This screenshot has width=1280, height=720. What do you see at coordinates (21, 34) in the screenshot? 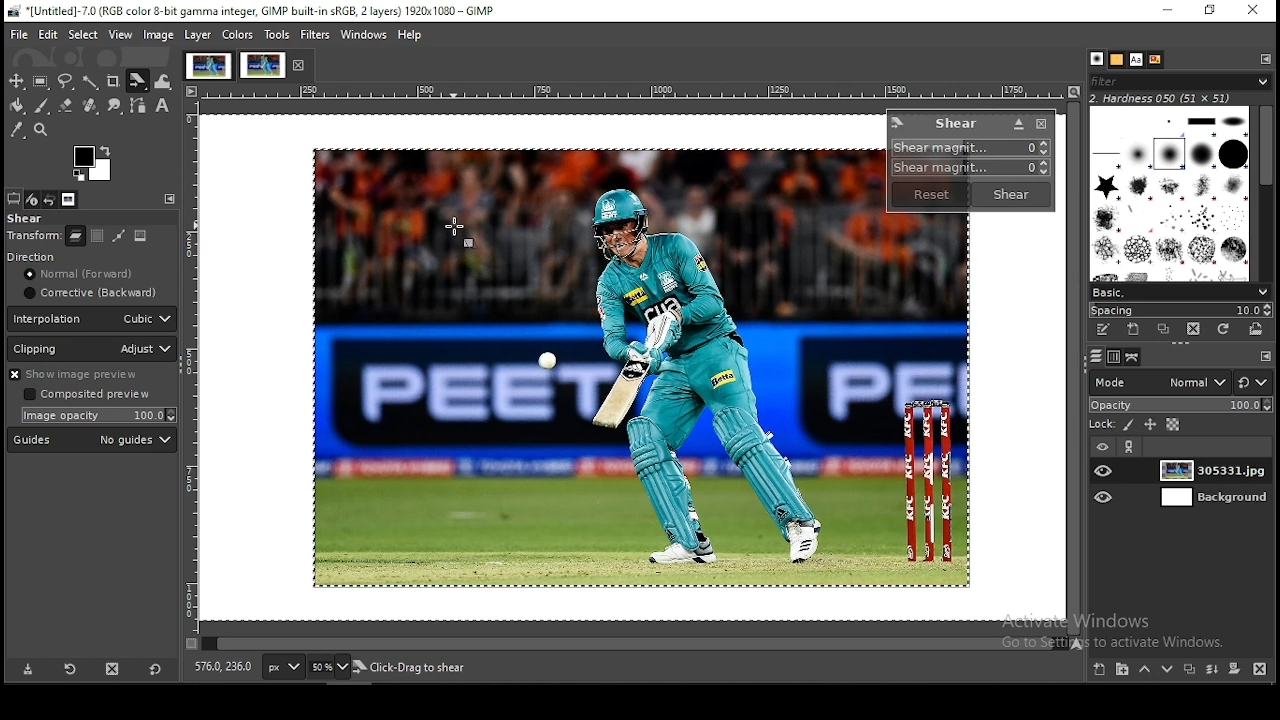
I see `file` at bounding box center [21, 34].